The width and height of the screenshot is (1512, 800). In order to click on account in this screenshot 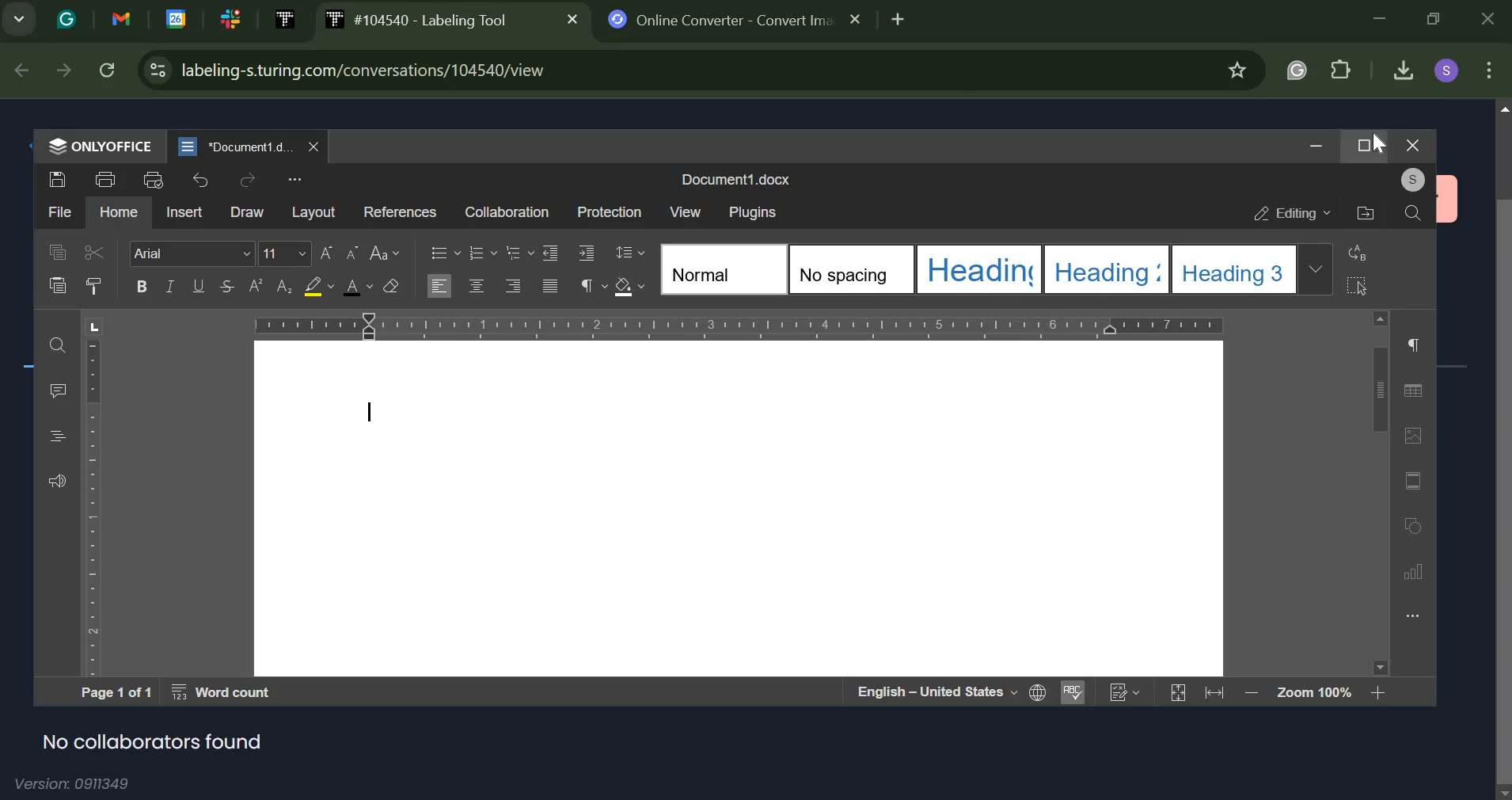, I will do `click(1413, 178)`.